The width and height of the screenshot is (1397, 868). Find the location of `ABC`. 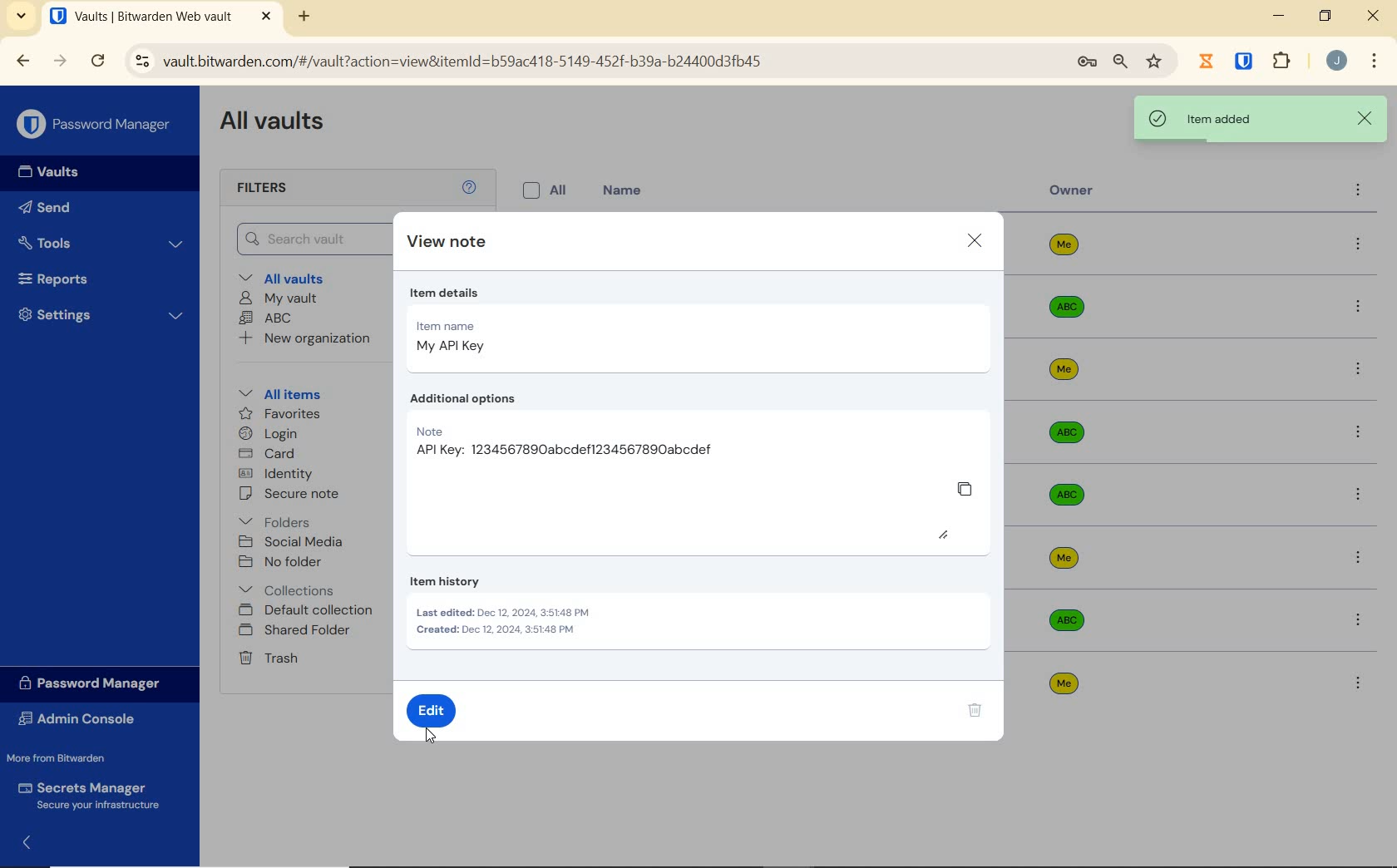

ABC is located at coordinates (269, 319).